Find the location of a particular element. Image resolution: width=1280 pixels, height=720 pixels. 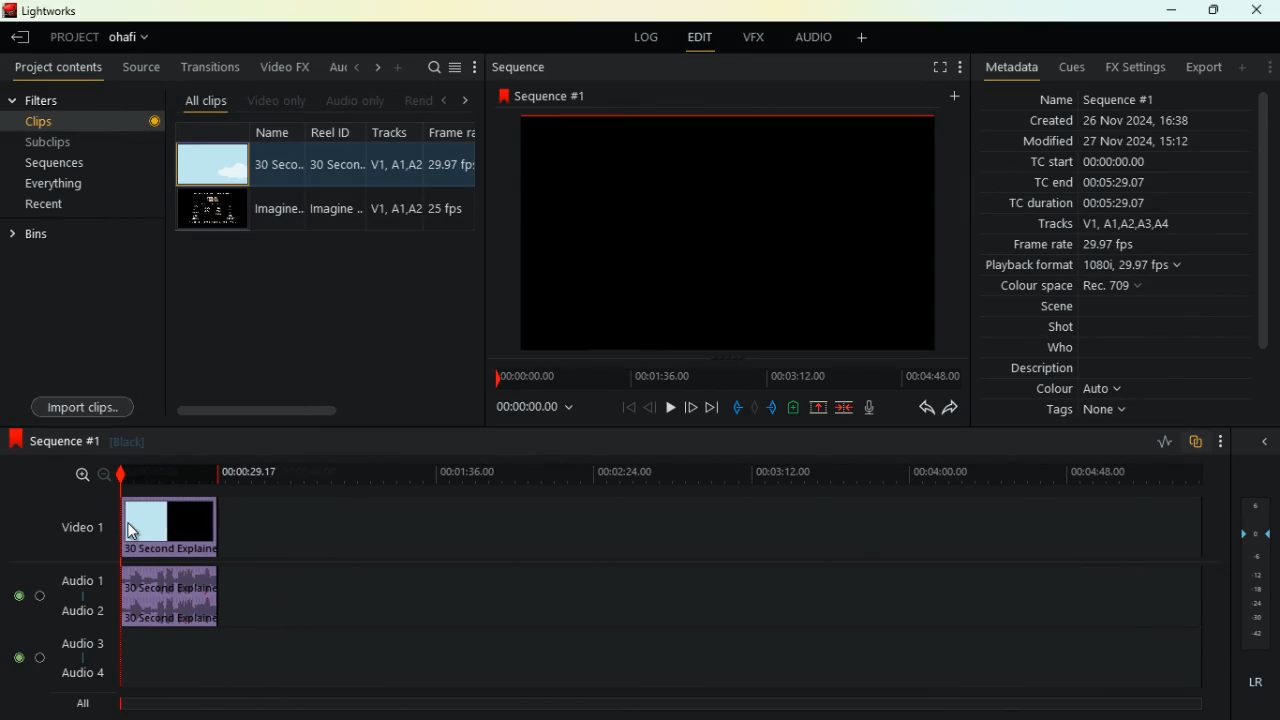

minimize is located at coordinates (1171, 10).